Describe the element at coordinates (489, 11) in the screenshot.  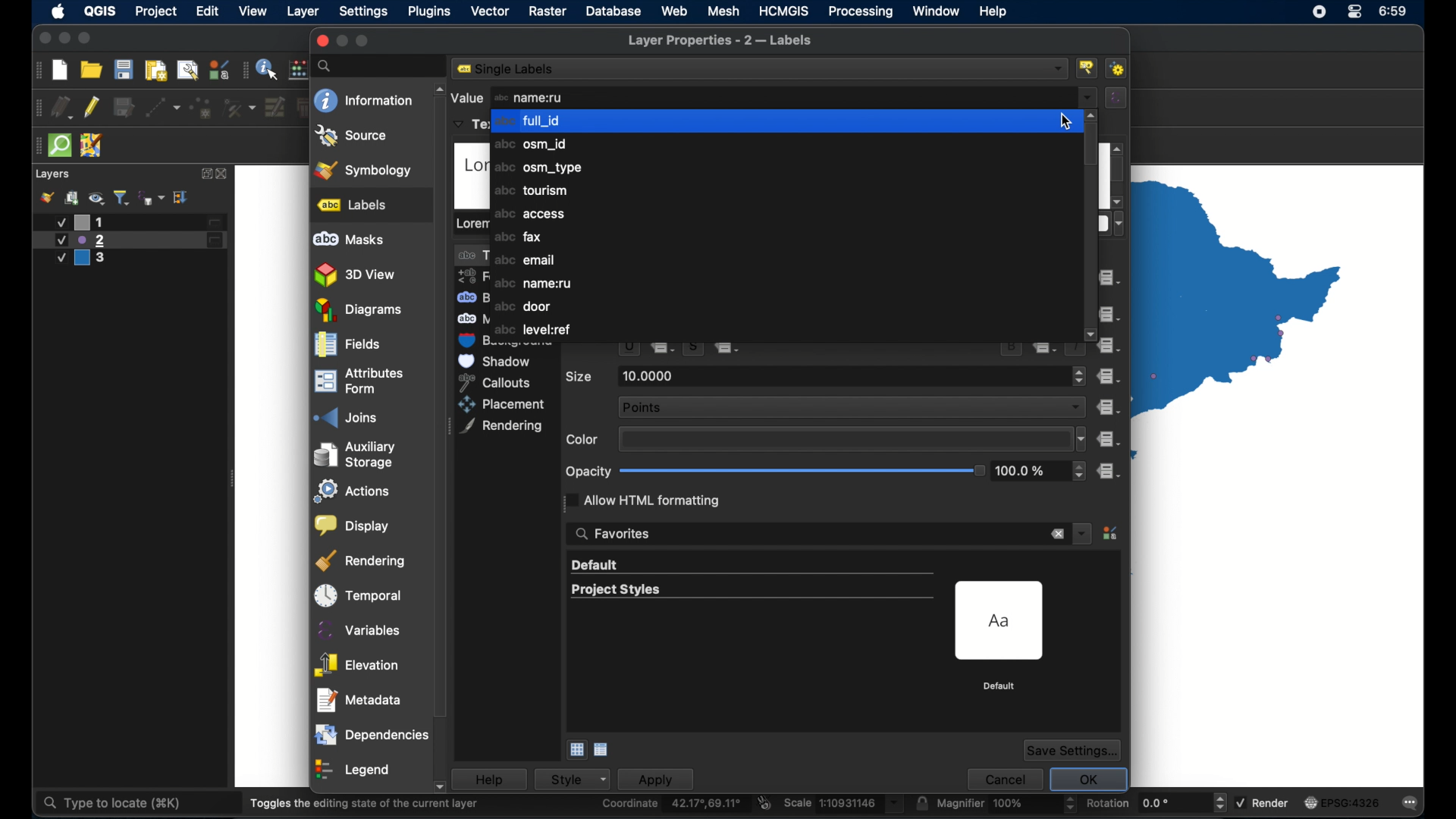
I see `vector` at that location.